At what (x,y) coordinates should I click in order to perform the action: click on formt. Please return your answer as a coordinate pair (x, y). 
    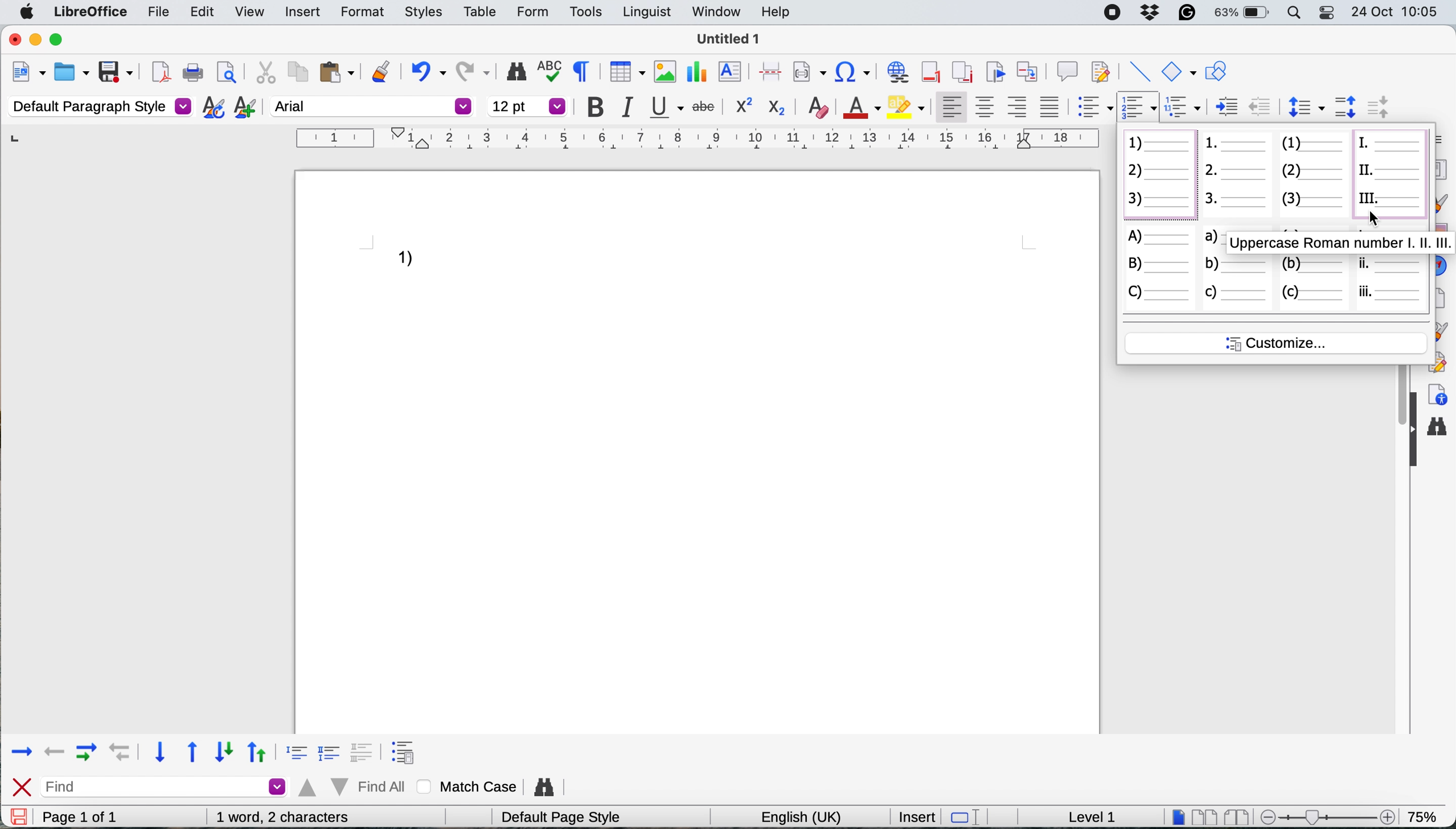
    Looking at the image, I should click on (360, 13).